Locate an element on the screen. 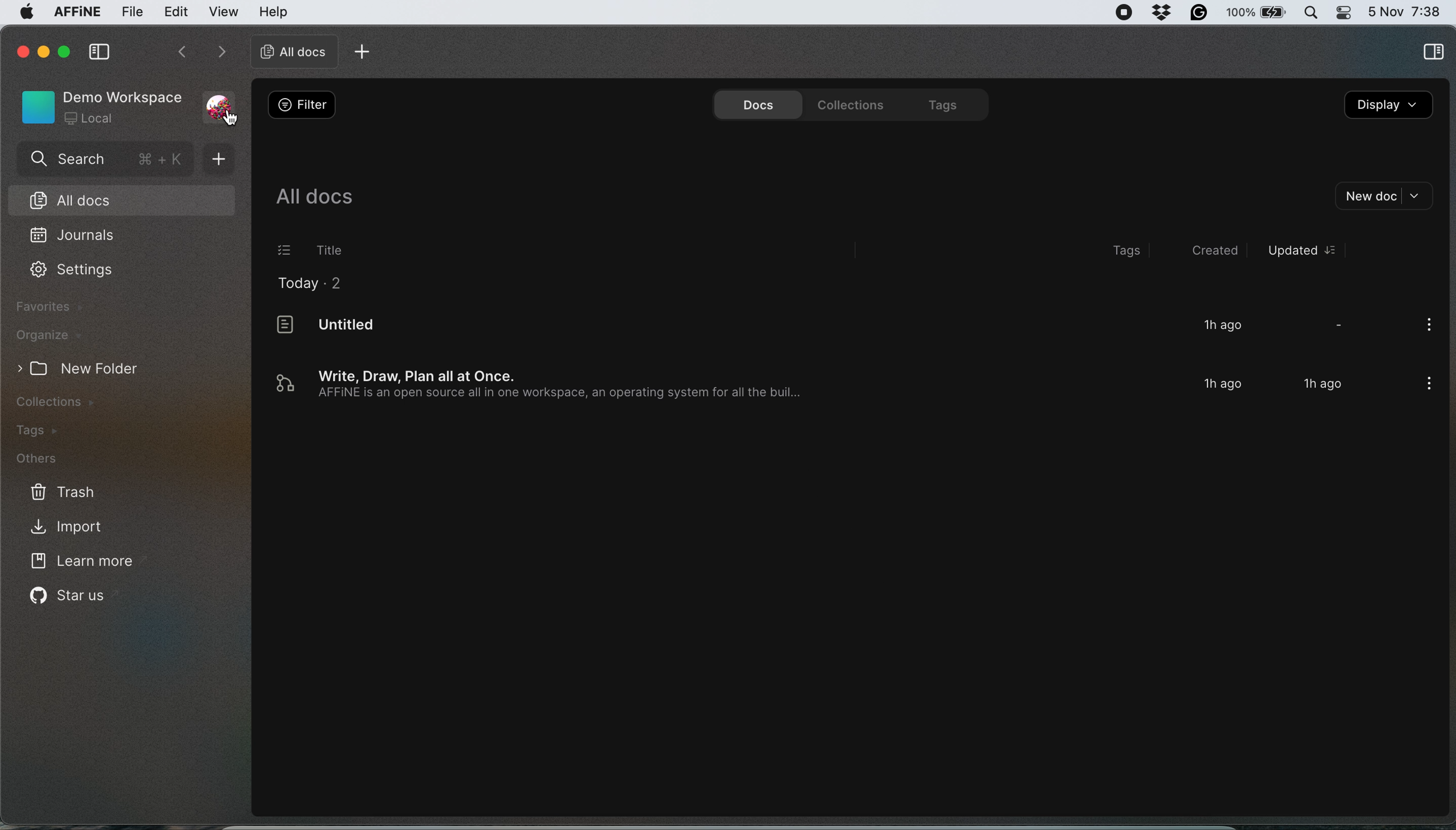 Image resolution: width=1456 pixels, height=830 pixels. close is located at coordinates (21, 50).